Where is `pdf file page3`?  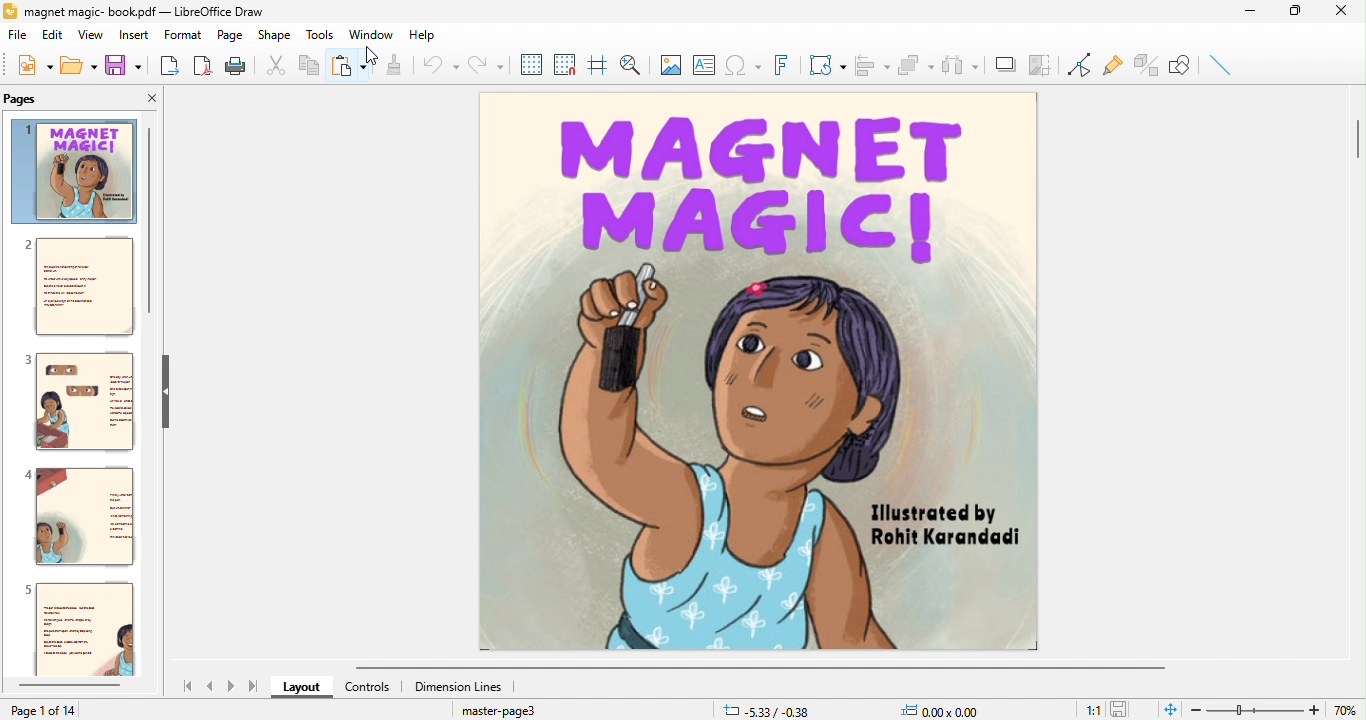
pdf file page3 is located at coordinates (83, 402).